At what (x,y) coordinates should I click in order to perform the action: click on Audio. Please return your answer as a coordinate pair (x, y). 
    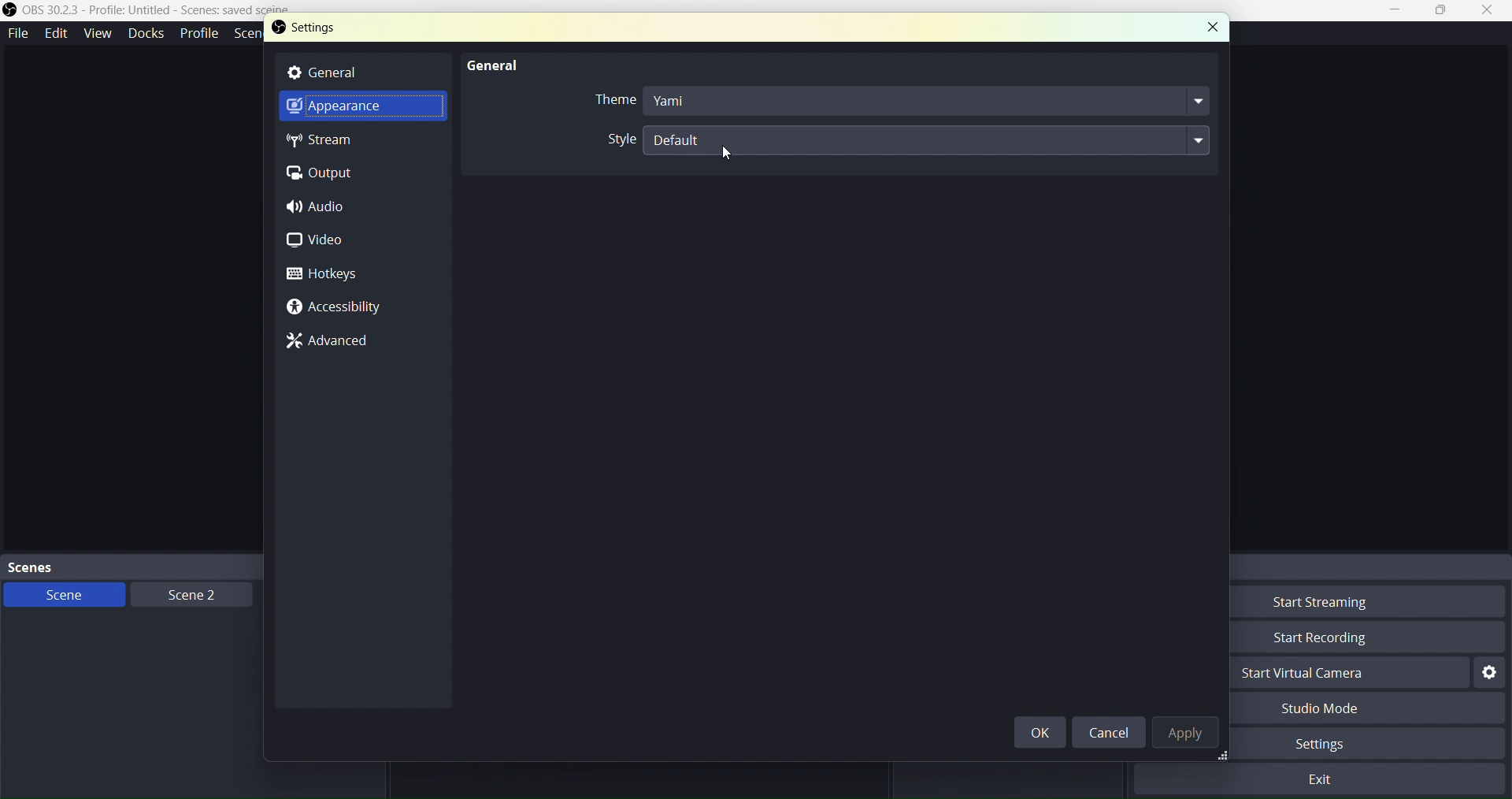
    Looking at the image, I should click on (322, 209).